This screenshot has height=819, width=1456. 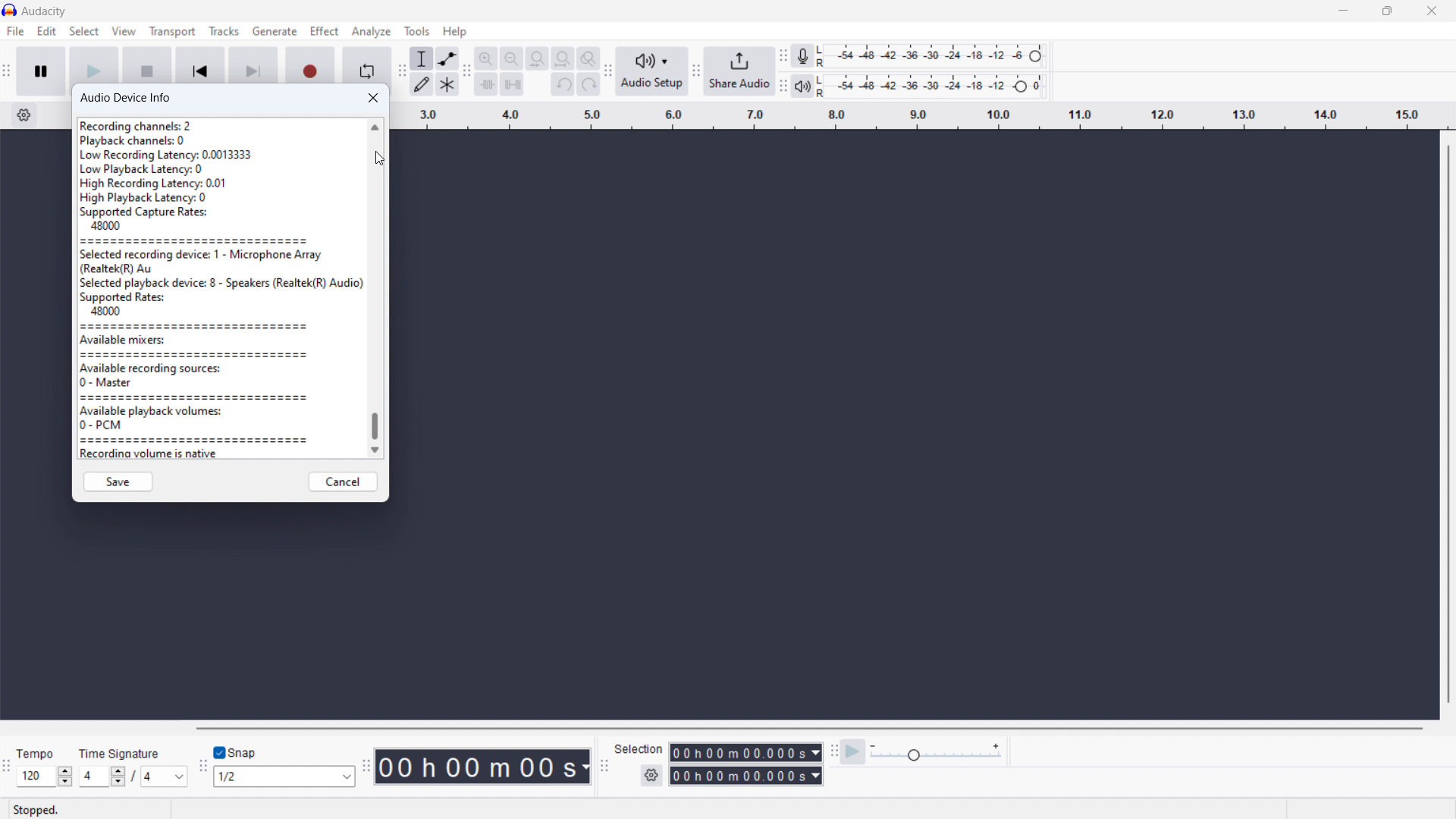 What do you see at coordinates (931, 86) in the screenshot?
I see `playback level` at bounding box center [931, 86].